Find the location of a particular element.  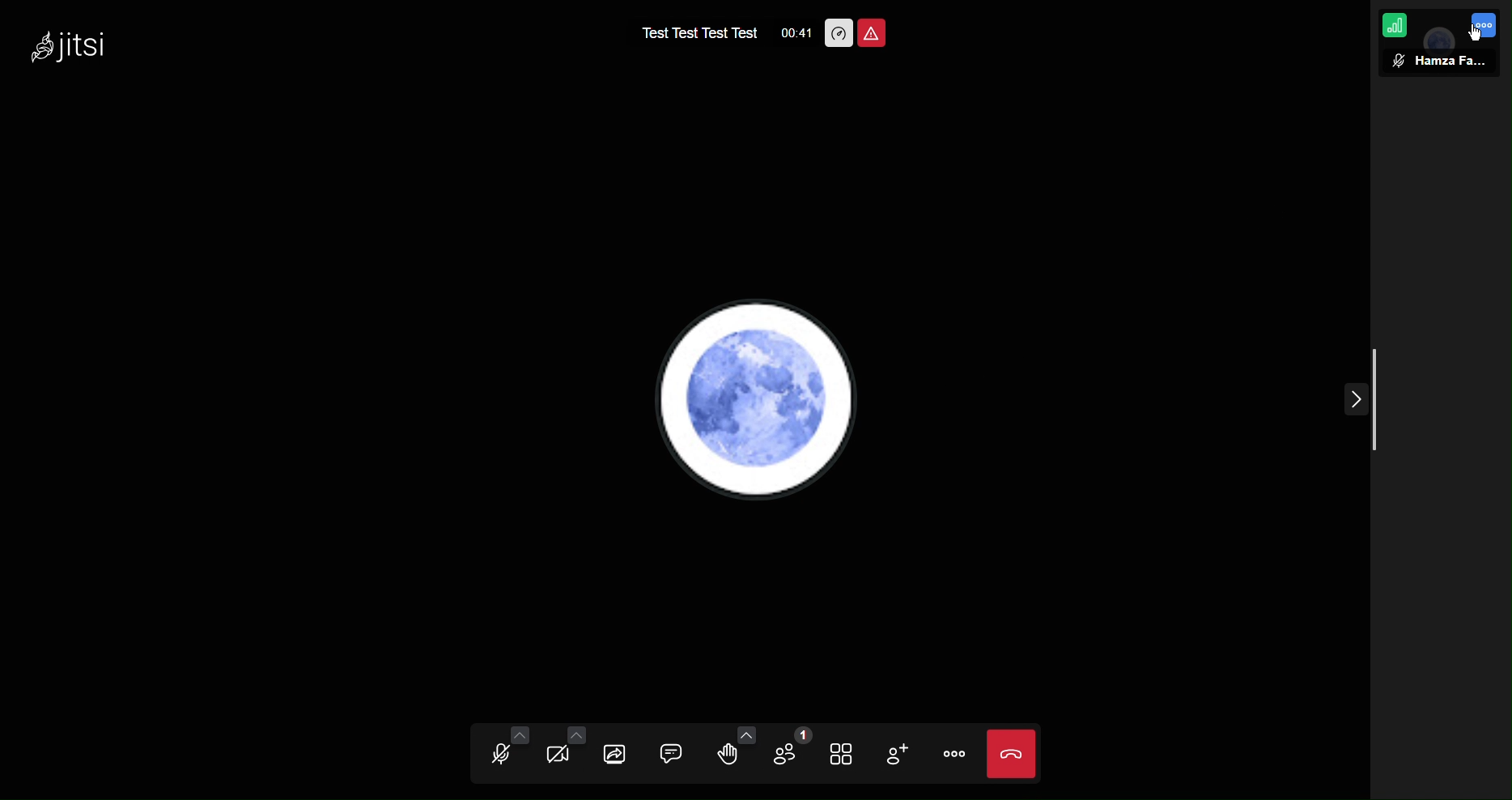

Video is located at coordinates (561, 754).